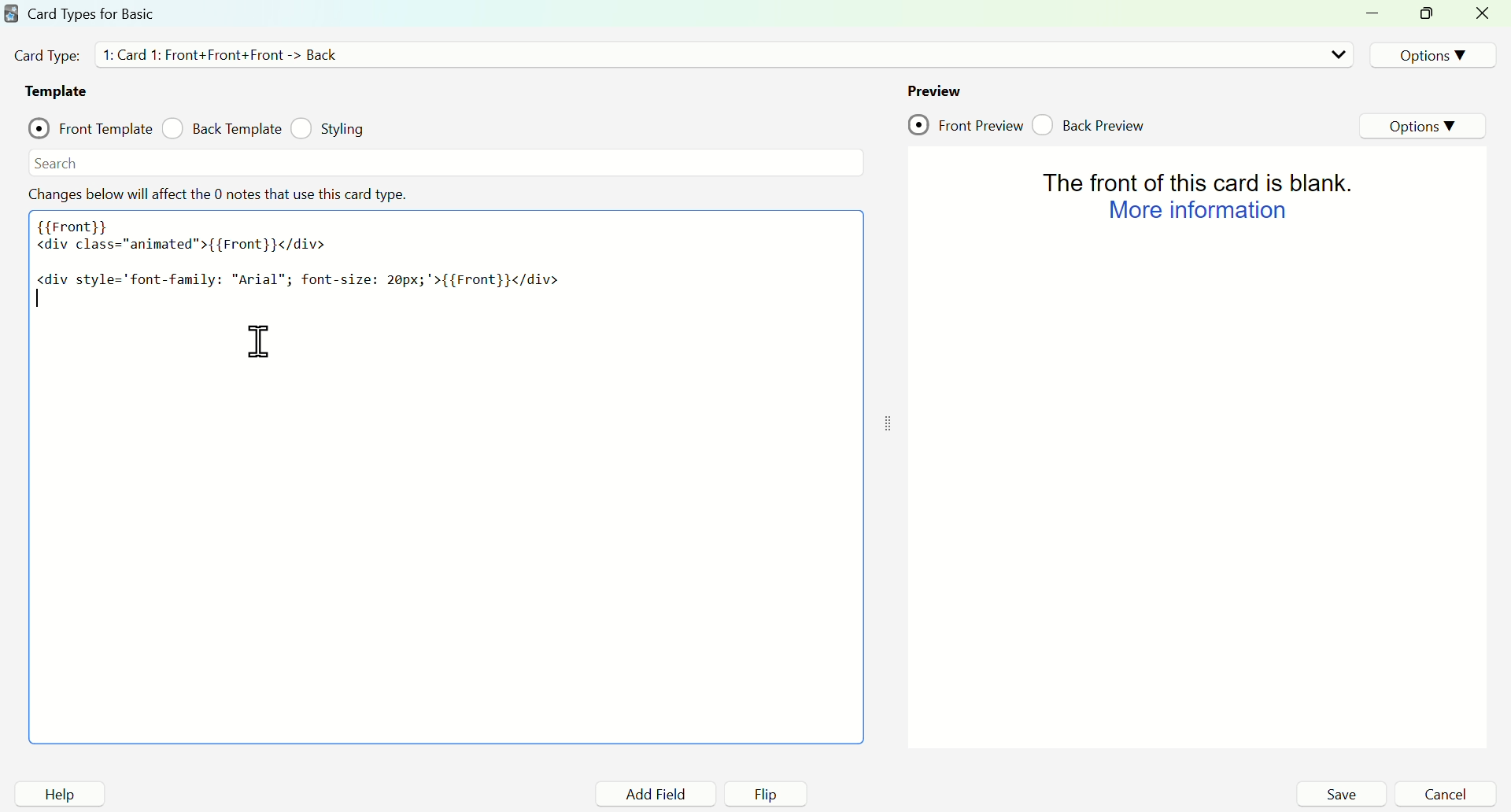 The image size is (1511, 812). Describe the element at coordinates (1430, 15) in the screenshot. I see `resize` at that location.